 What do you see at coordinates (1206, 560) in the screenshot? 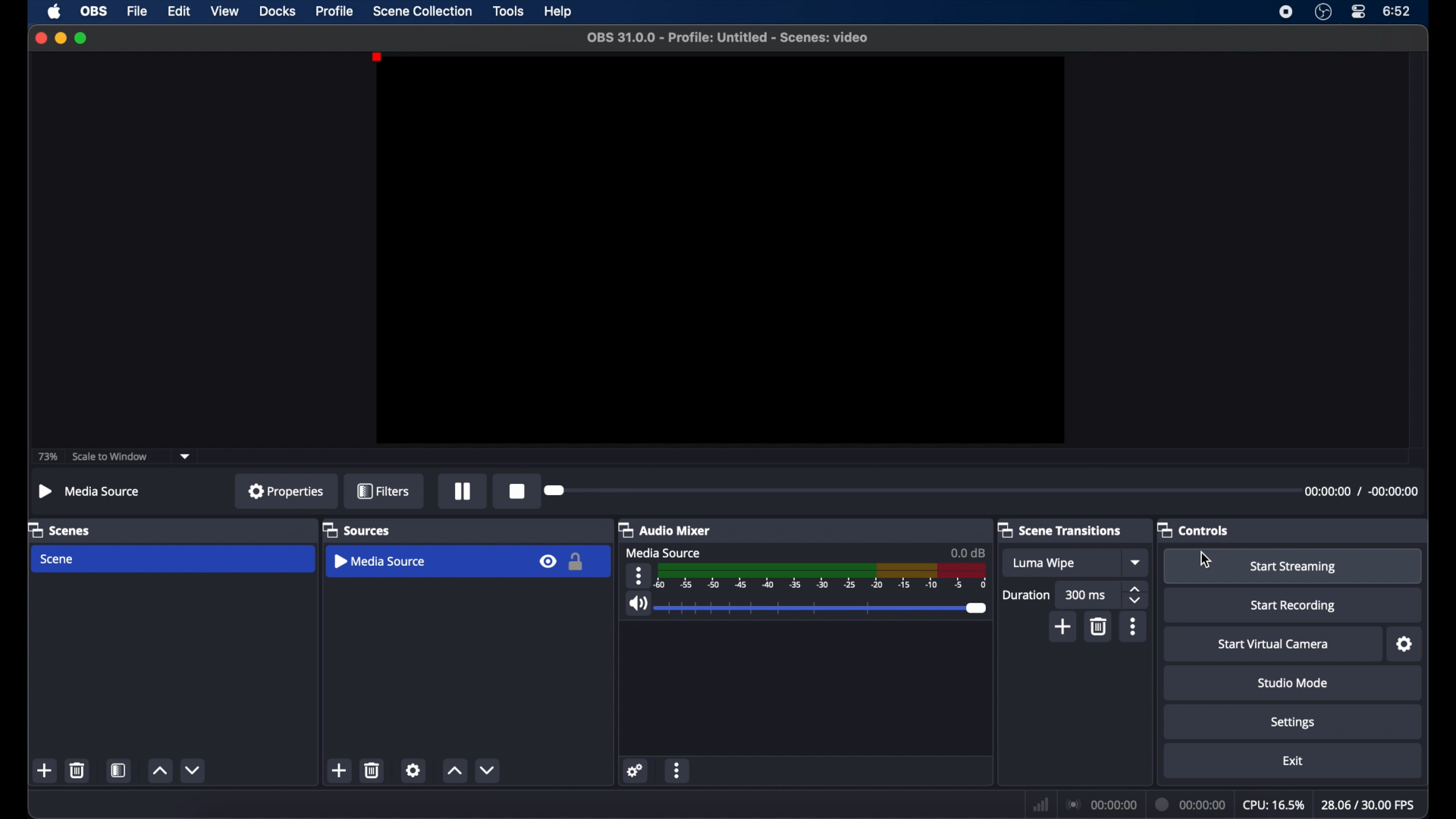
I see `cursor` at bounding box center [1206, 560].